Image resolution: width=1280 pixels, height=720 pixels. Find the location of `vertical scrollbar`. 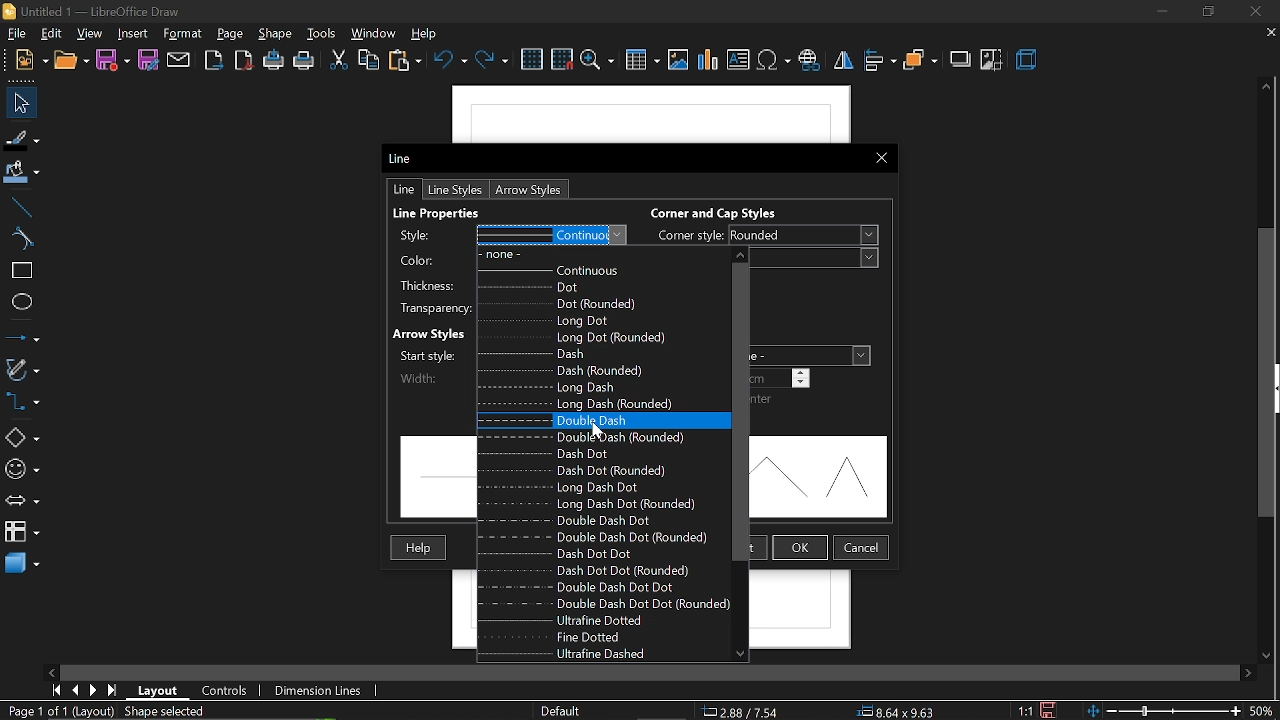

vertical scrollbar is located at coordinates (1269, 372).